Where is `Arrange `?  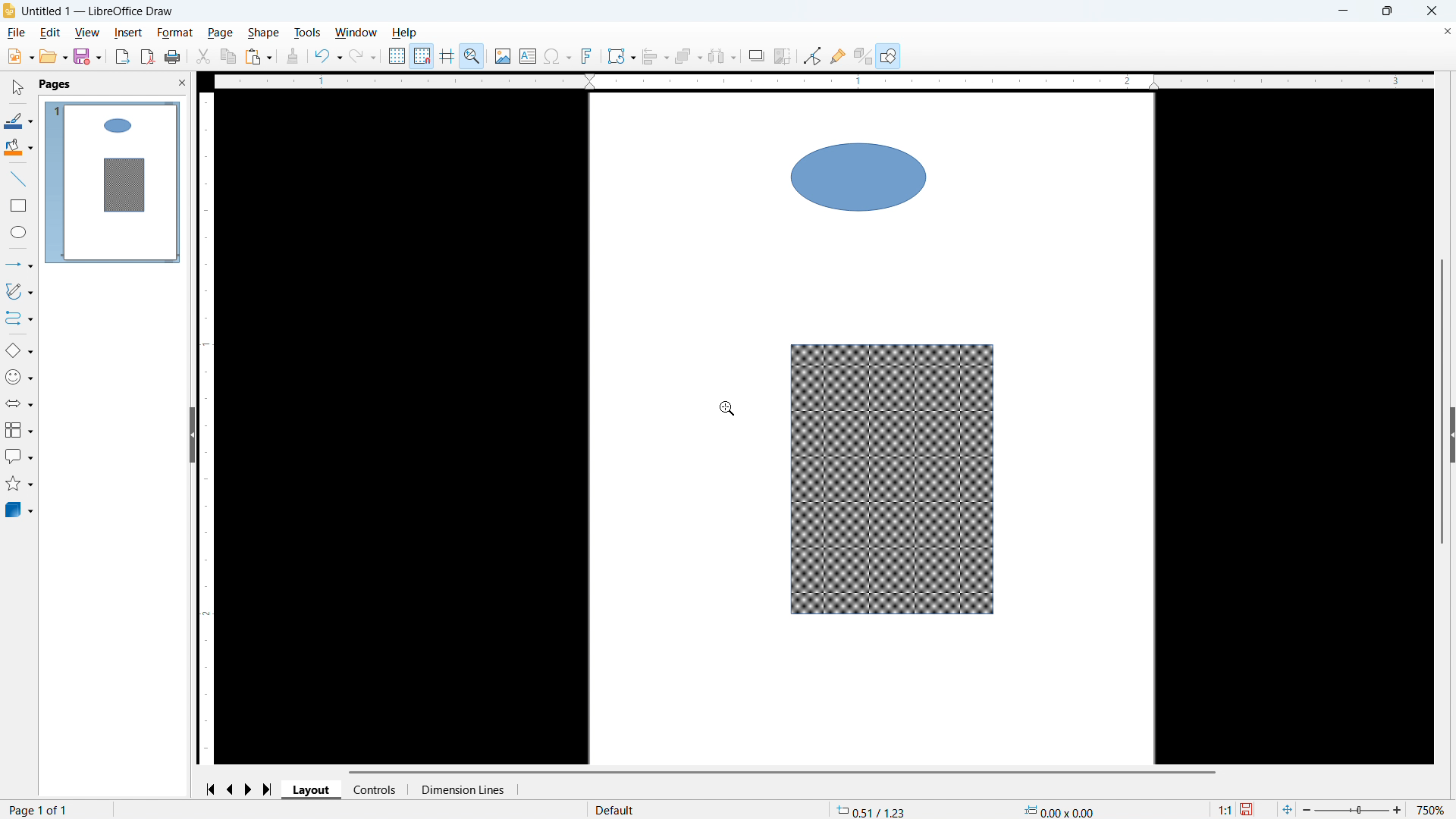
Arrange  is located at coordinates (688, 57).